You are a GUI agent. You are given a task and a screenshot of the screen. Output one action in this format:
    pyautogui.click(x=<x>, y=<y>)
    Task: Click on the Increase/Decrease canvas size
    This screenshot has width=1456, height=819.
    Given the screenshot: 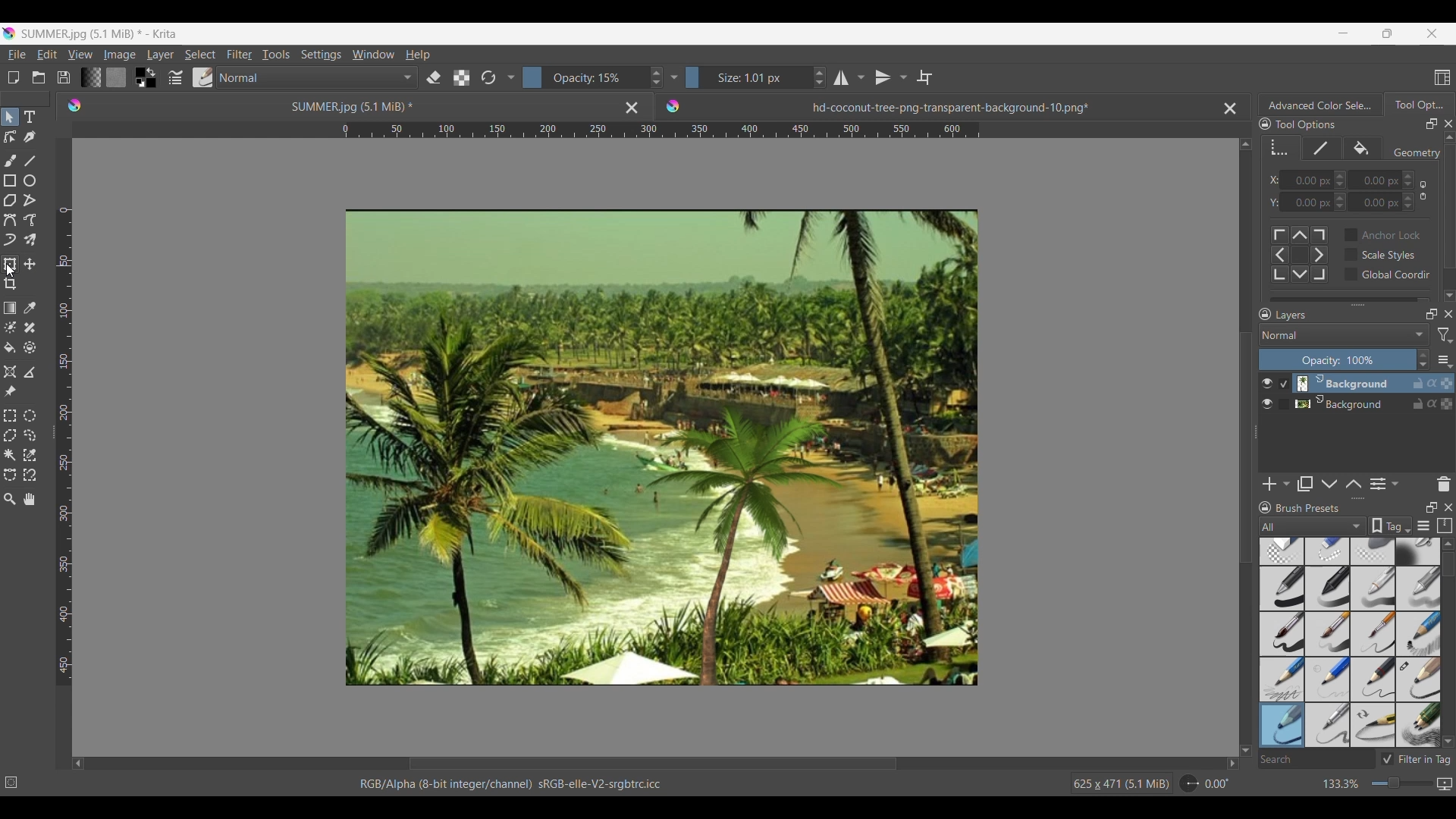 What is the action you would take?
    pyautogui.click(x=1374, y=784)
    